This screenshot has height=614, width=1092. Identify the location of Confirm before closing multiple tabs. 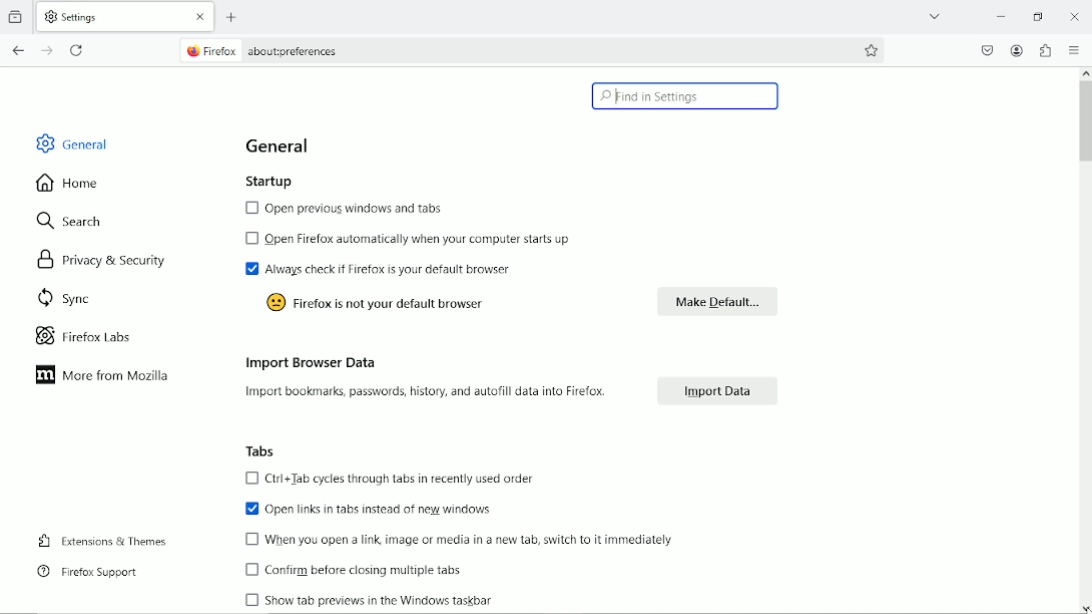
(356, 568).